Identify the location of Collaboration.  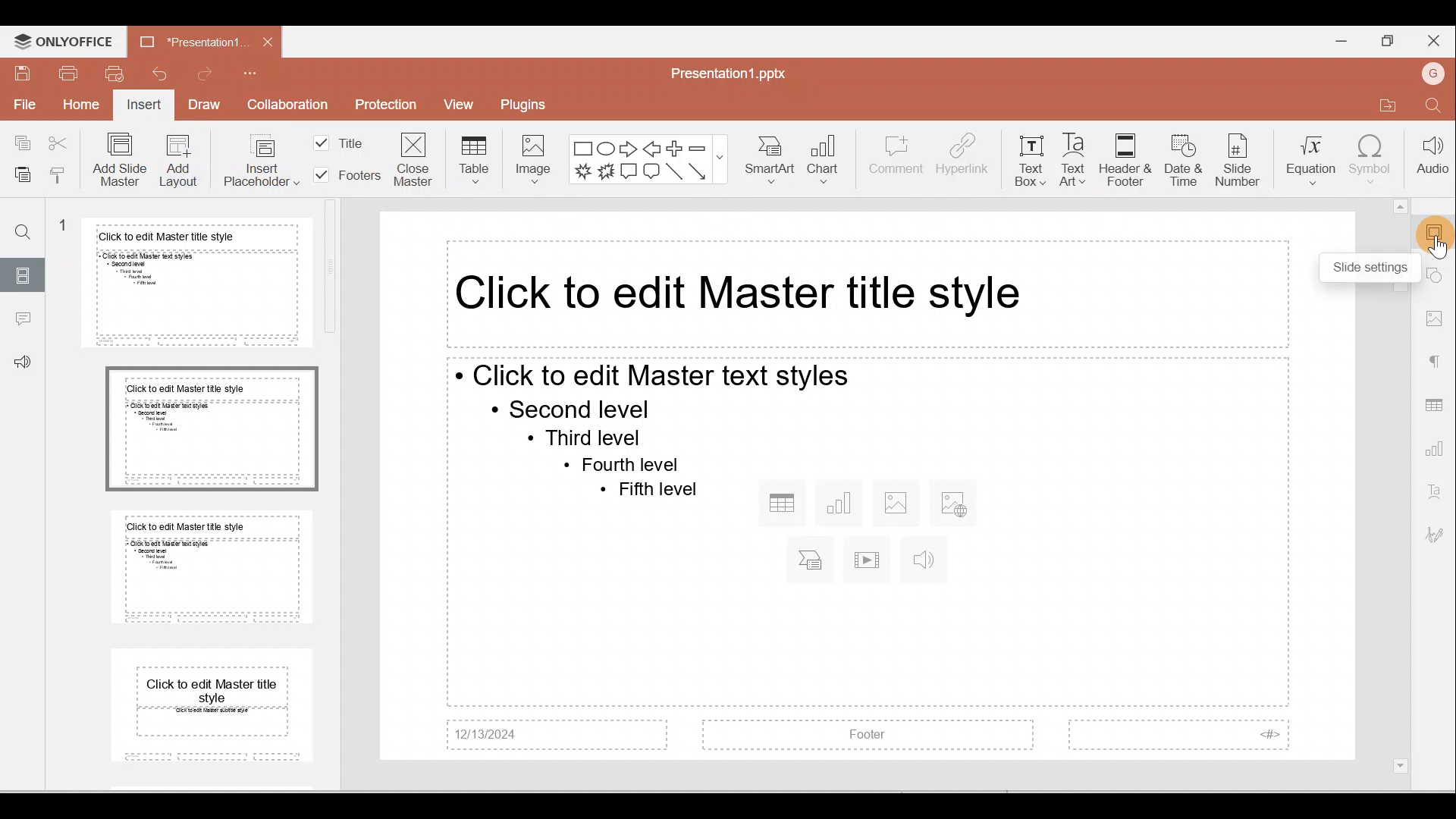
(292, 106).